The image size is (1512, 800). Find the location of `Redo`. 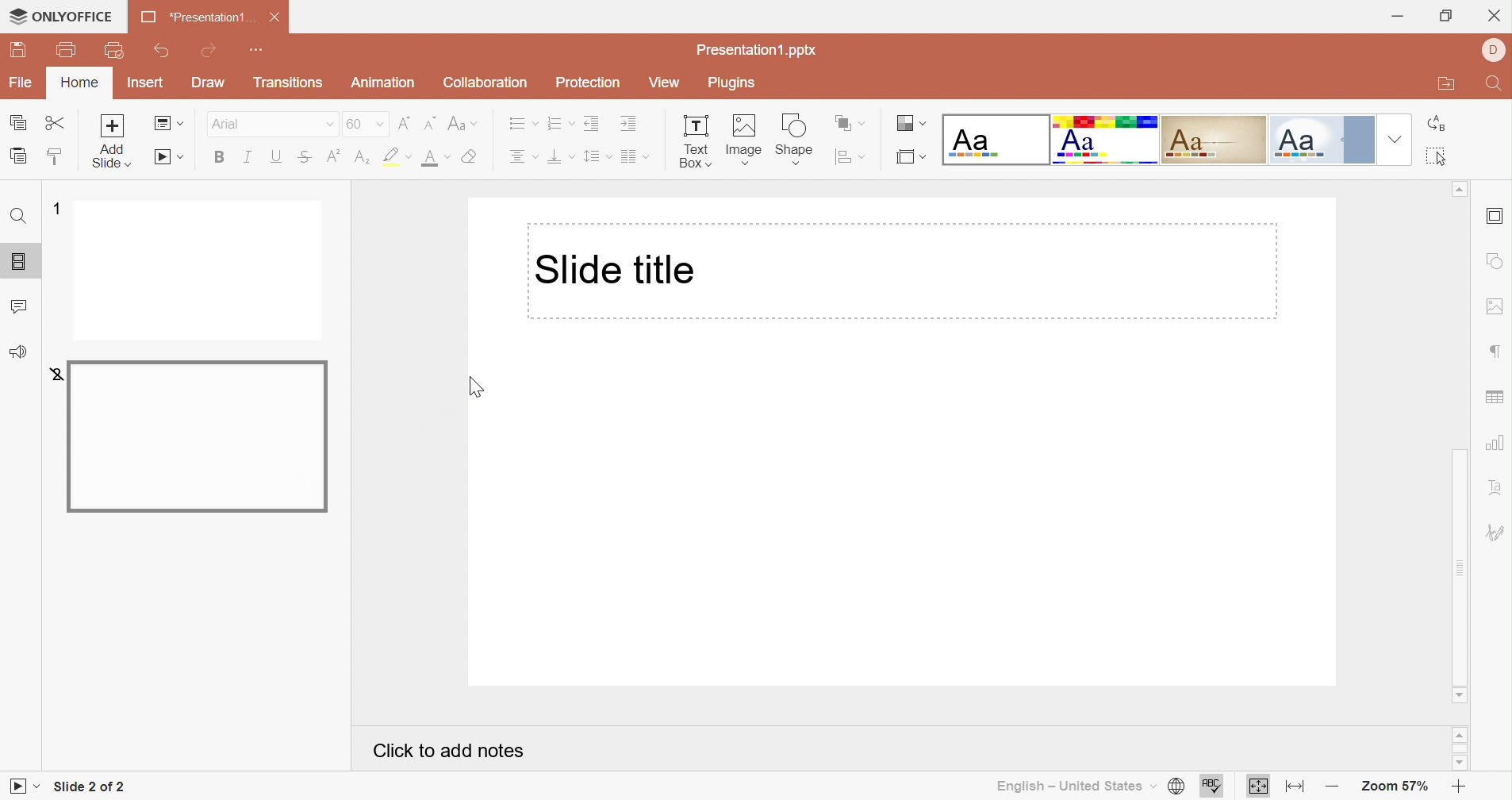

Redo is located at coordinates (206, 54).